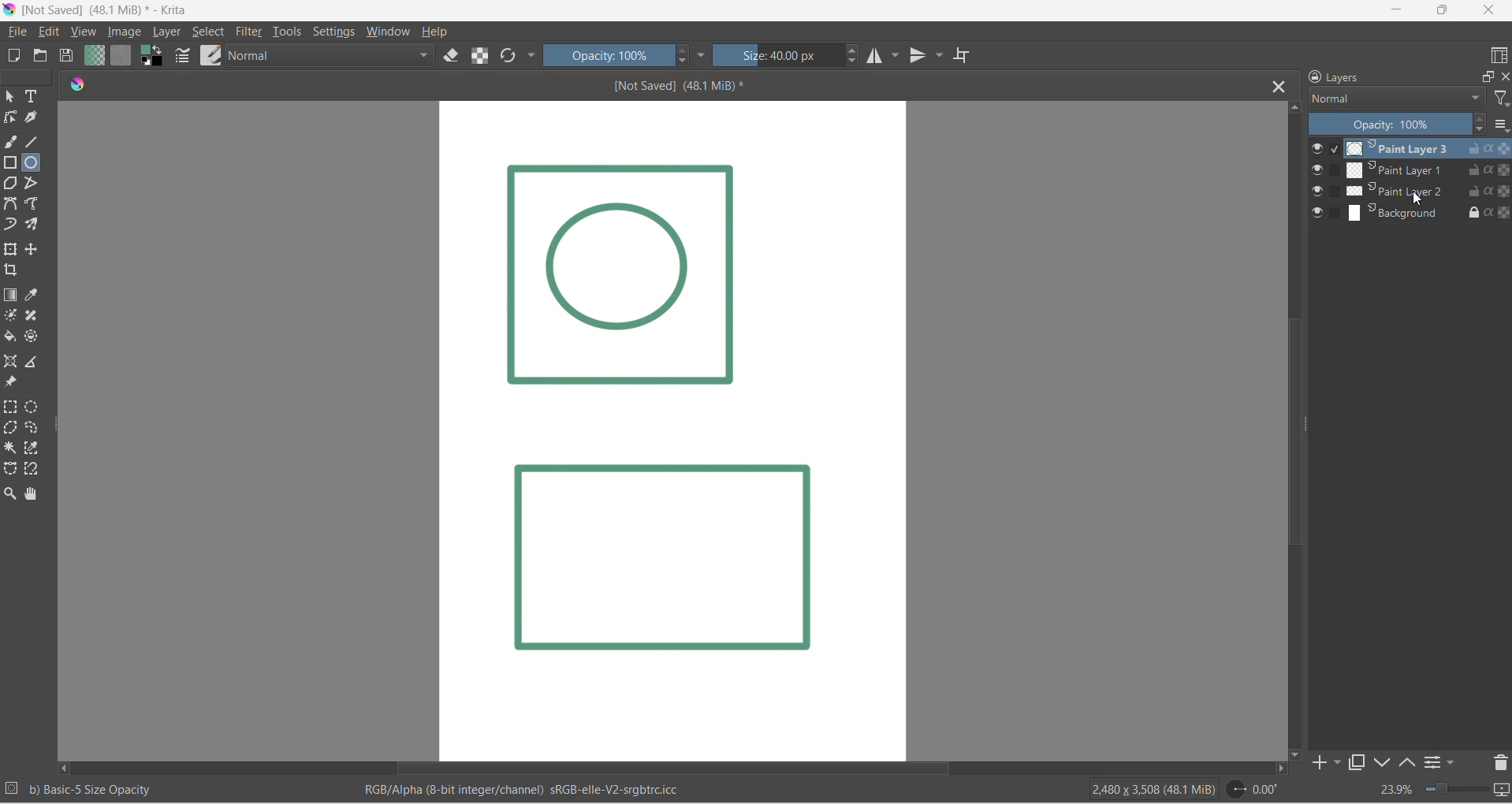 This screenshot has height=804, width=1512. I want to click on [Not Saved] (48.1 Mib)* - Krita, so click(114, 11).